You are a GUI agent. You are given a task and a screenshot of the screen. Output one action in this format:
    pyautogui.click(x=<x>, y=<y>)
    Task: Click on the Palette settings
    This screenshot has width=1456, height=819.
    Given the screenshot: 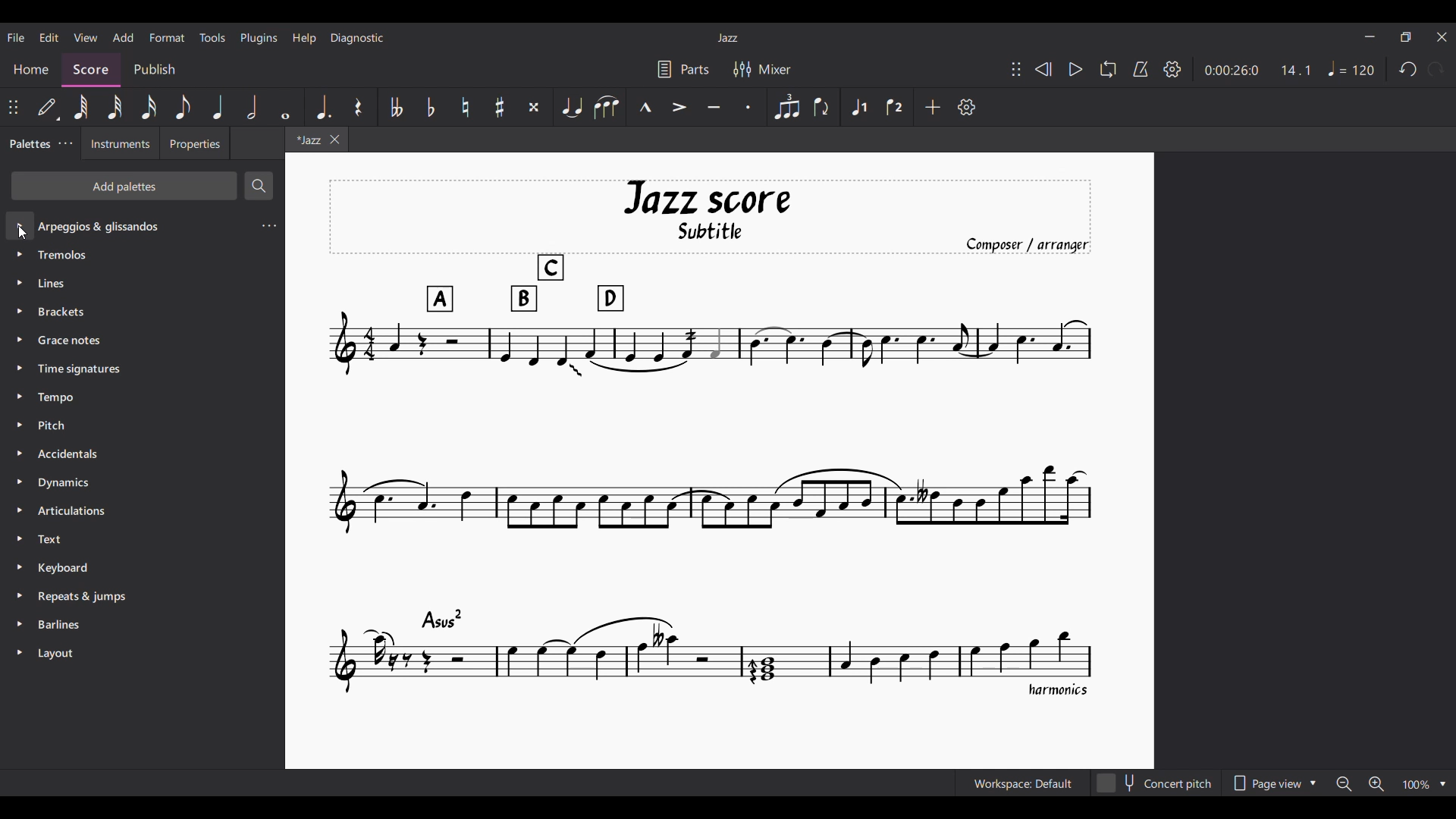 What is the action you would take?
    pyautogui.click(x=65, y=143)
    